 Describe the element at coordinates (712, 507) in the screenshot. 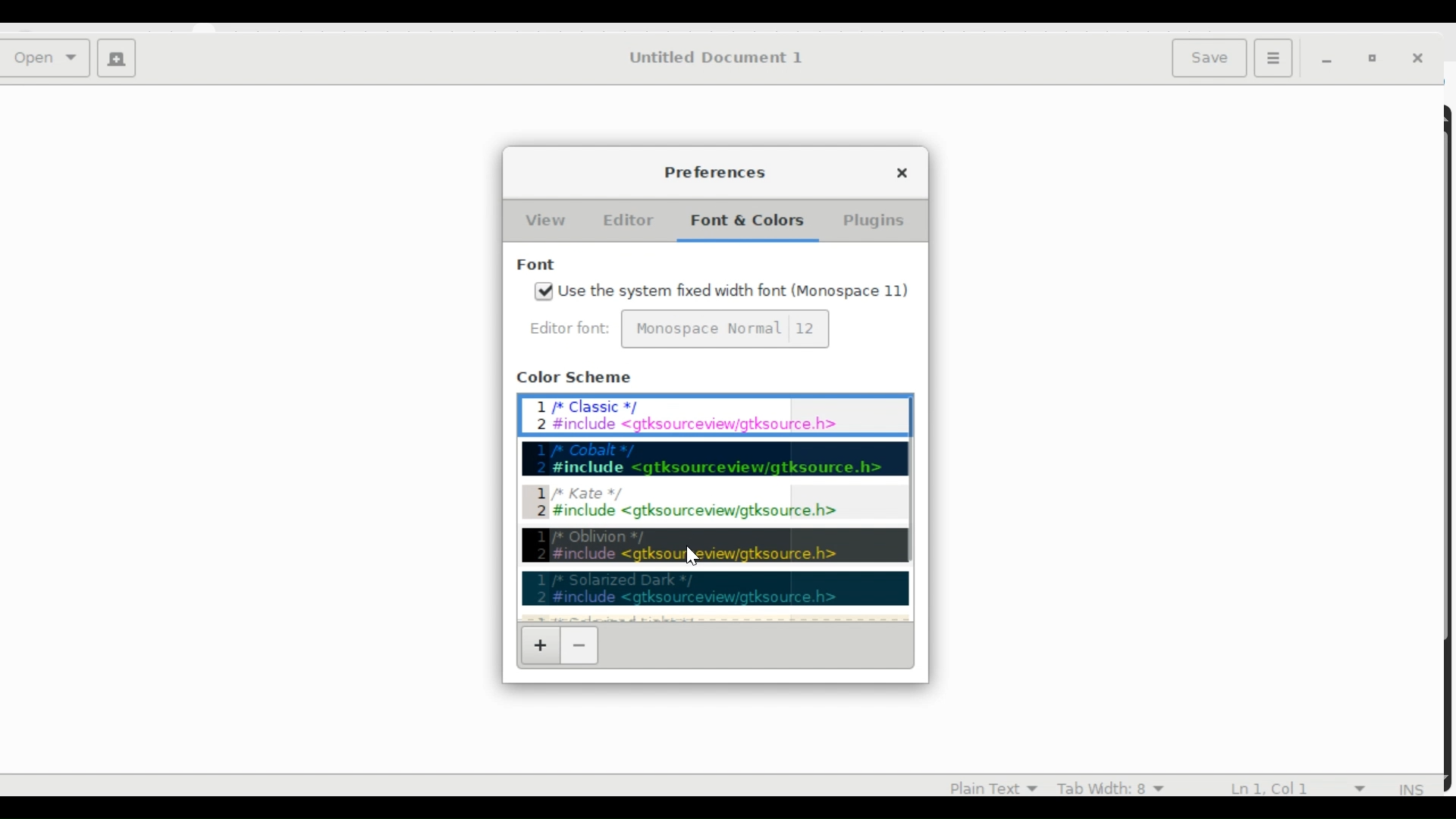

I see `Color Scheme Options` at that location.